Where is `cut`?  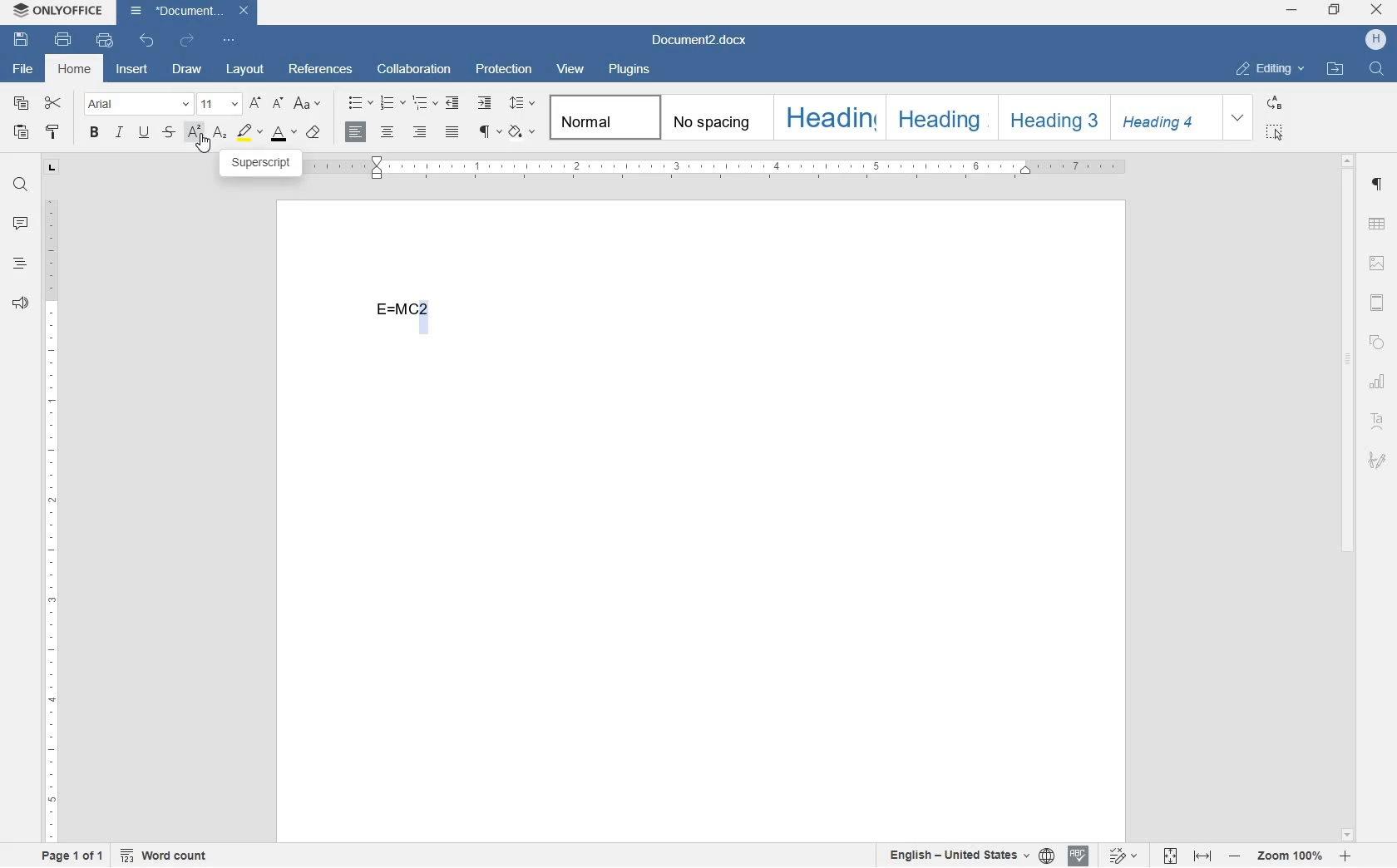
cut is located at coordinates (55, 101).